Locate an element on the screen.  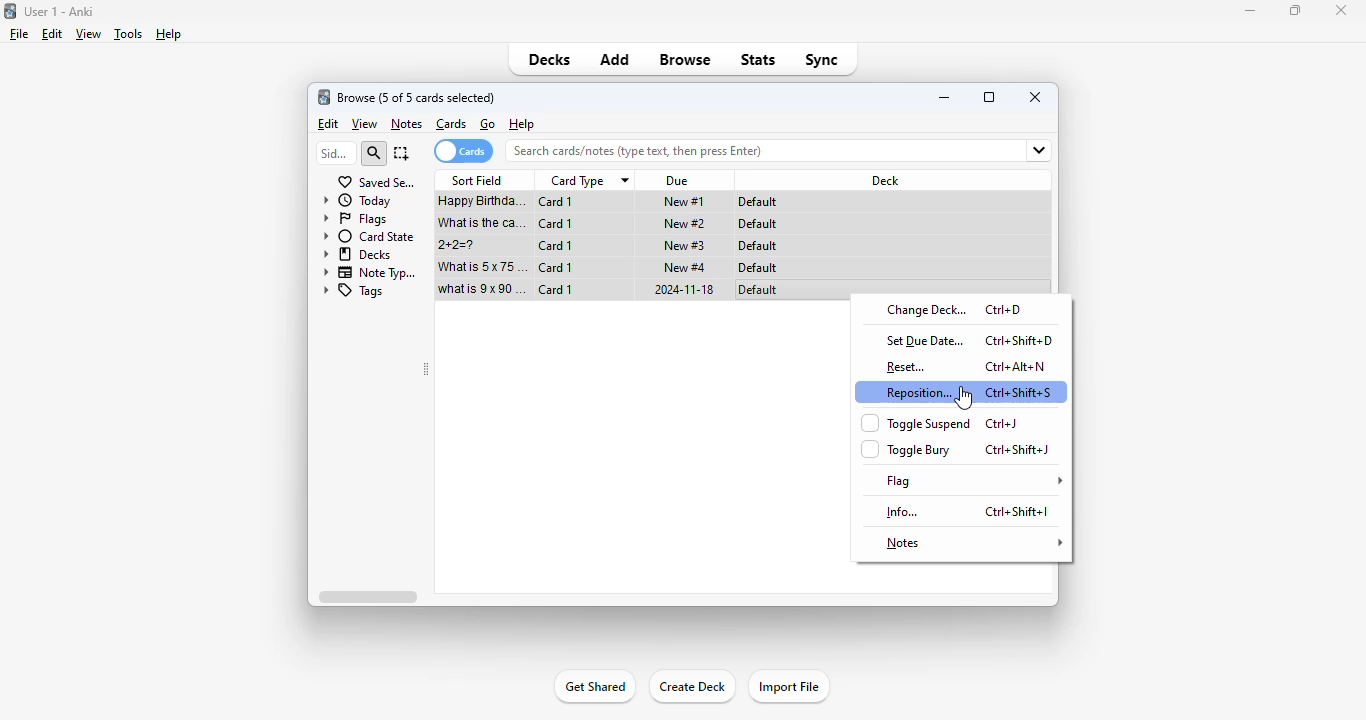
info is located at coordinates (901, 512).